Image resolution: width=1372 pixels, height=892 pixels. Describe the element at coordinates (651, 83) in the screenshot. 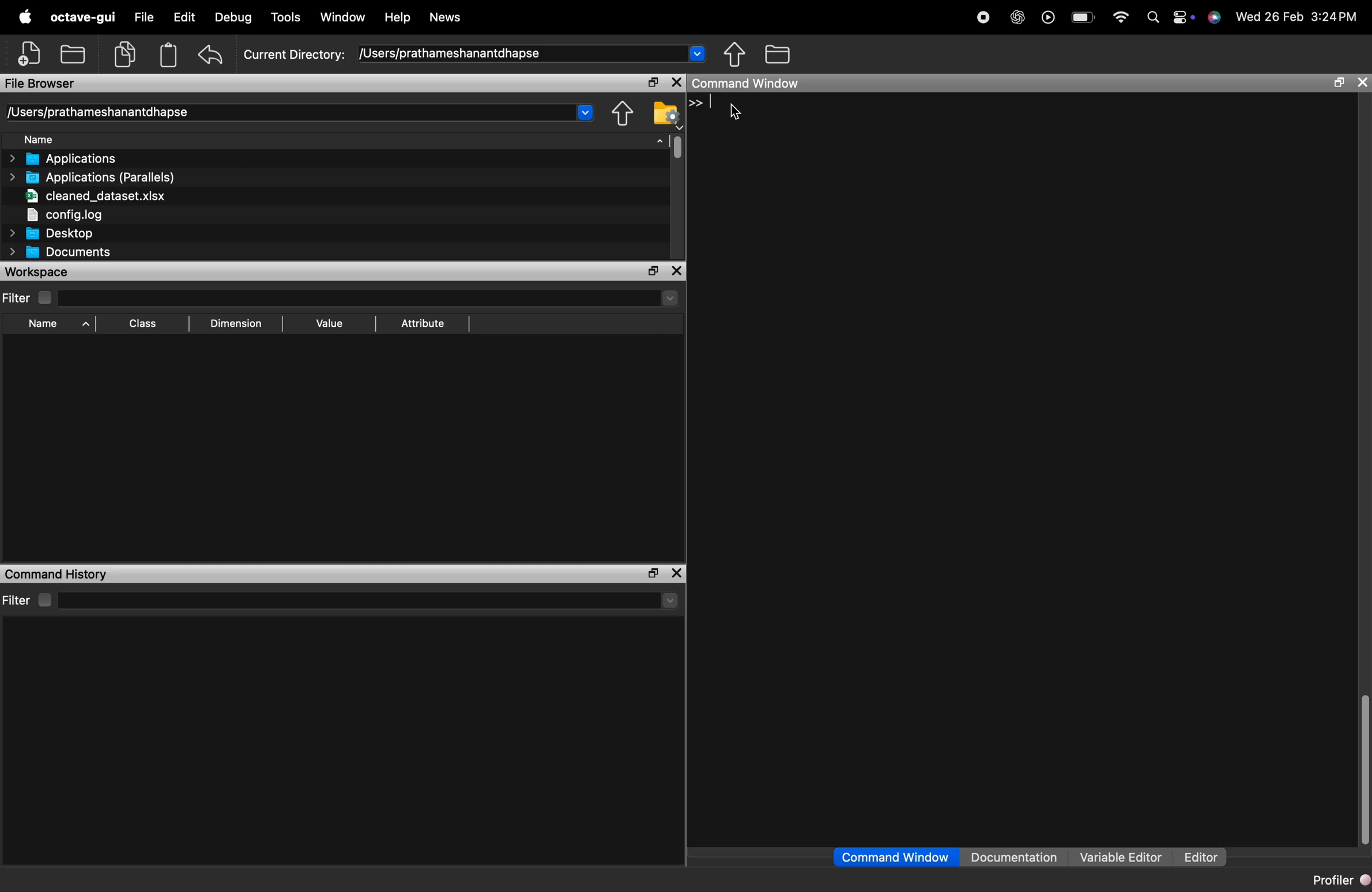

I see `Maximize` at that location.